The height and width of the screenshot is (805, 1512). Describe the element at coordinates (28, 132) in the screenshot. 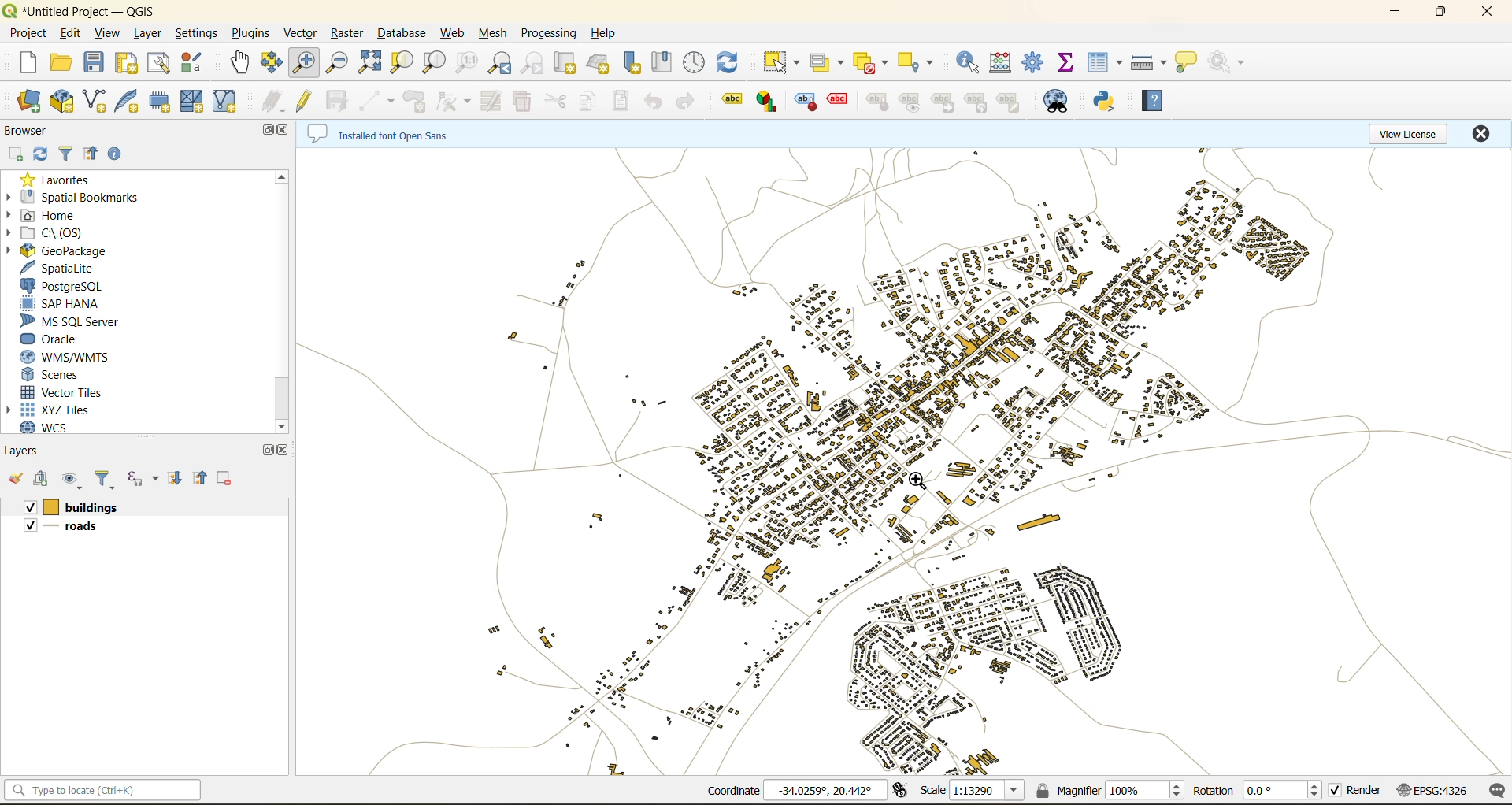

I see `browser` at that location.